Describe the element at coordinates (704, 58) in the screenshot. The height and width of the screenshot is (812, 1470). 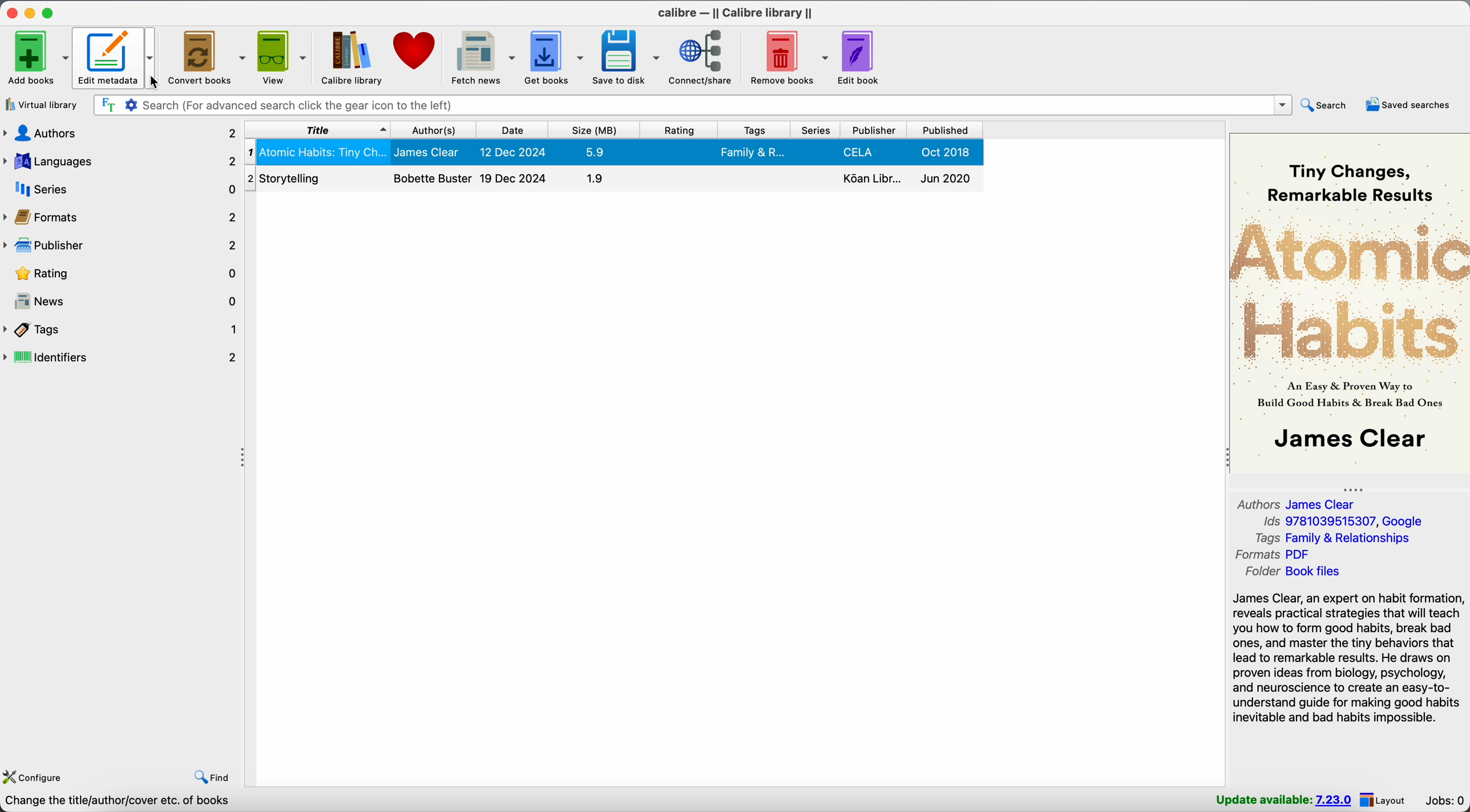
I see `connect/share` at that location.